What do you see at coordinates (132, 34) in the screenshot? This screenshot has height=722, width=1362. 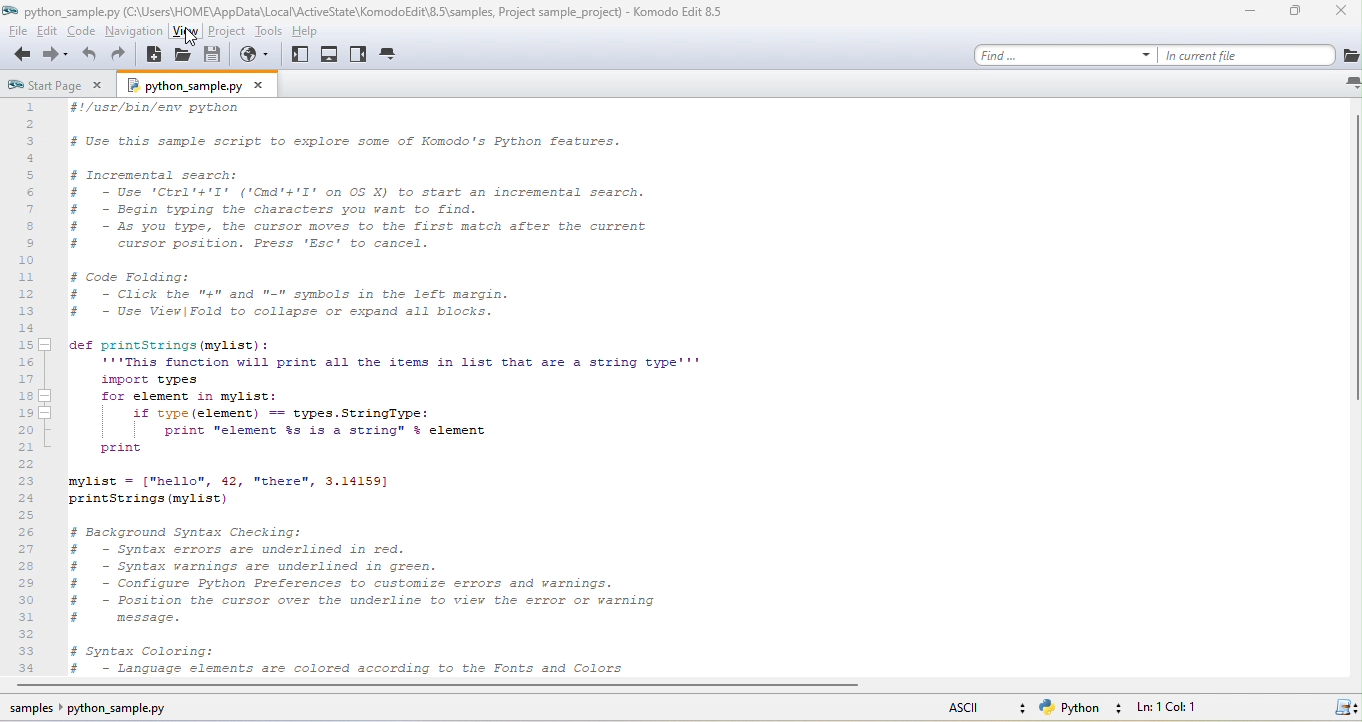 I see `nevigation` at bounding box center [132, 34].